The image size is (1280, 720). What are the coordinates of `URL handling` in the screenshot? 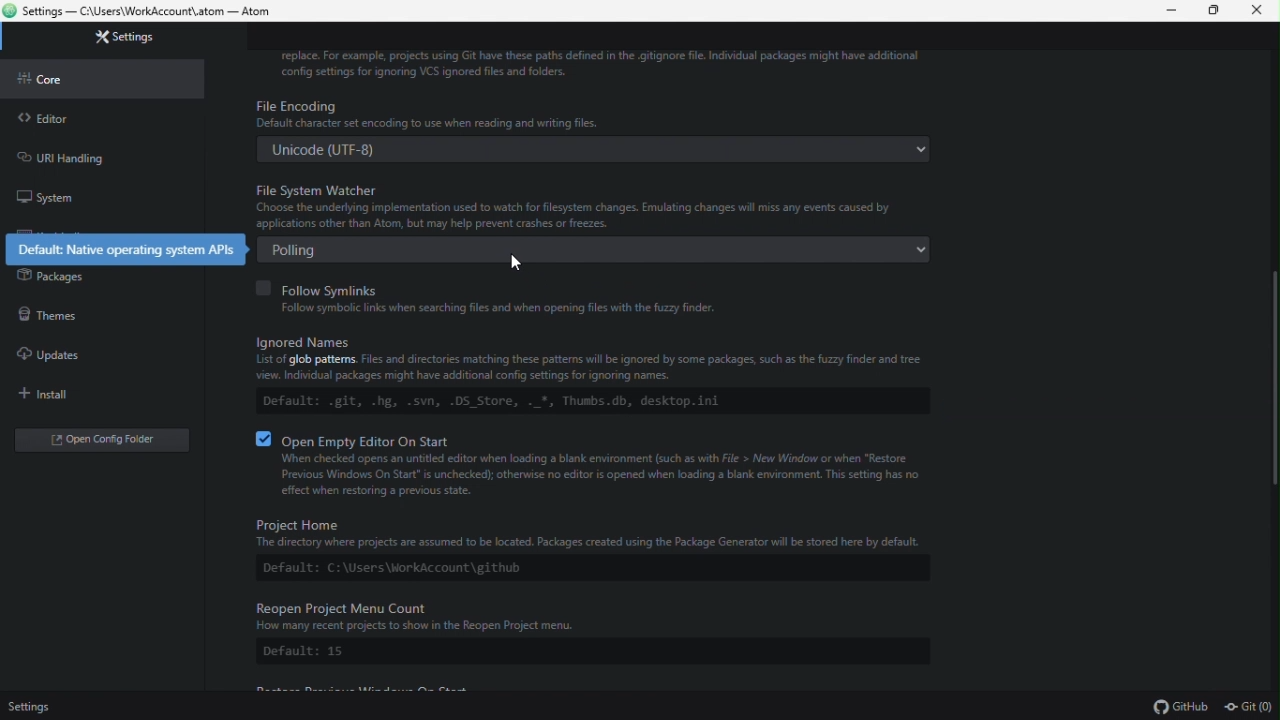 It's located at (93, 154).